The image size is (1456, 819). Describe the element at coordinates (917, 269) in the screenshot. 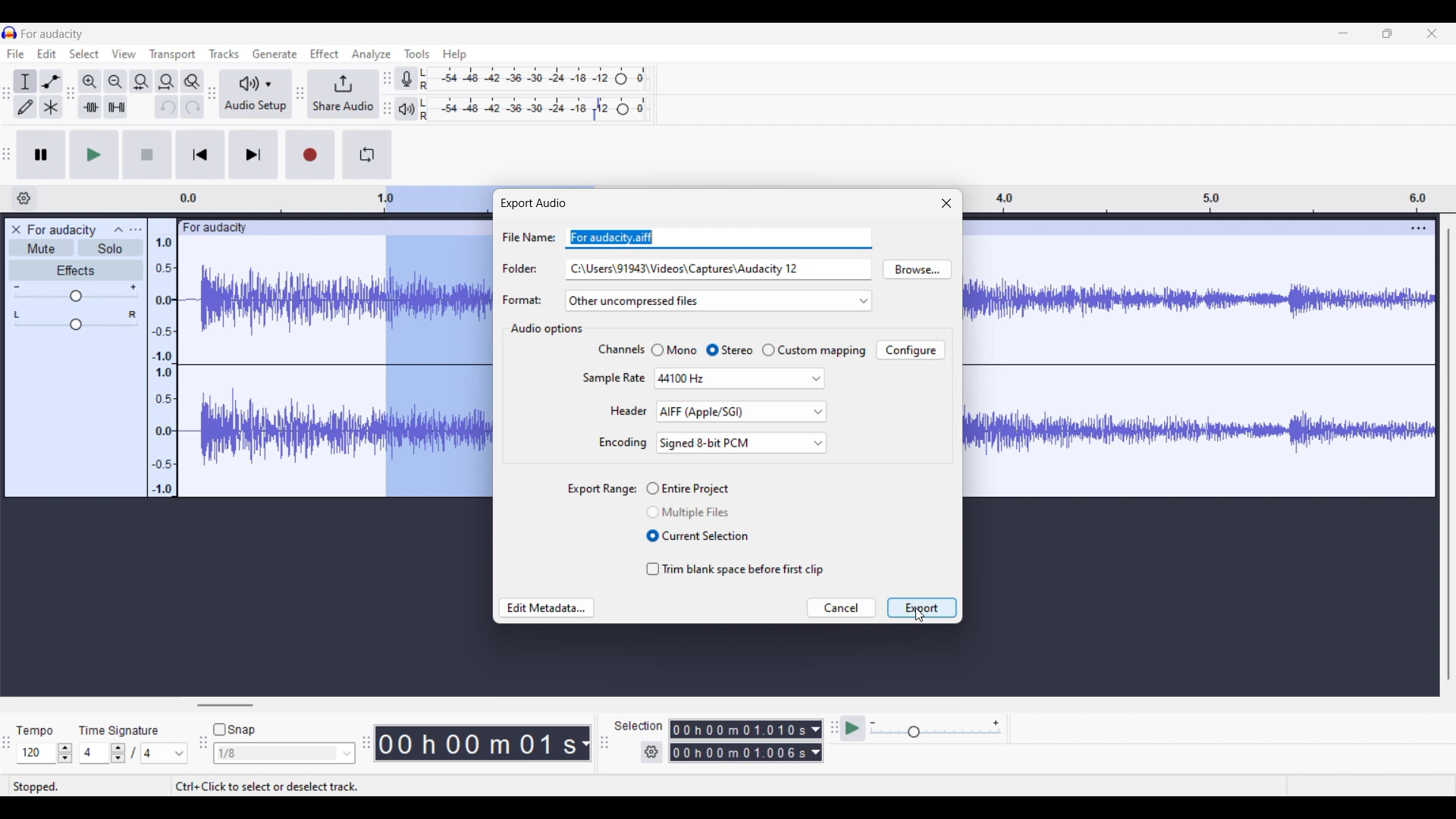

I see `Browse` at that location.